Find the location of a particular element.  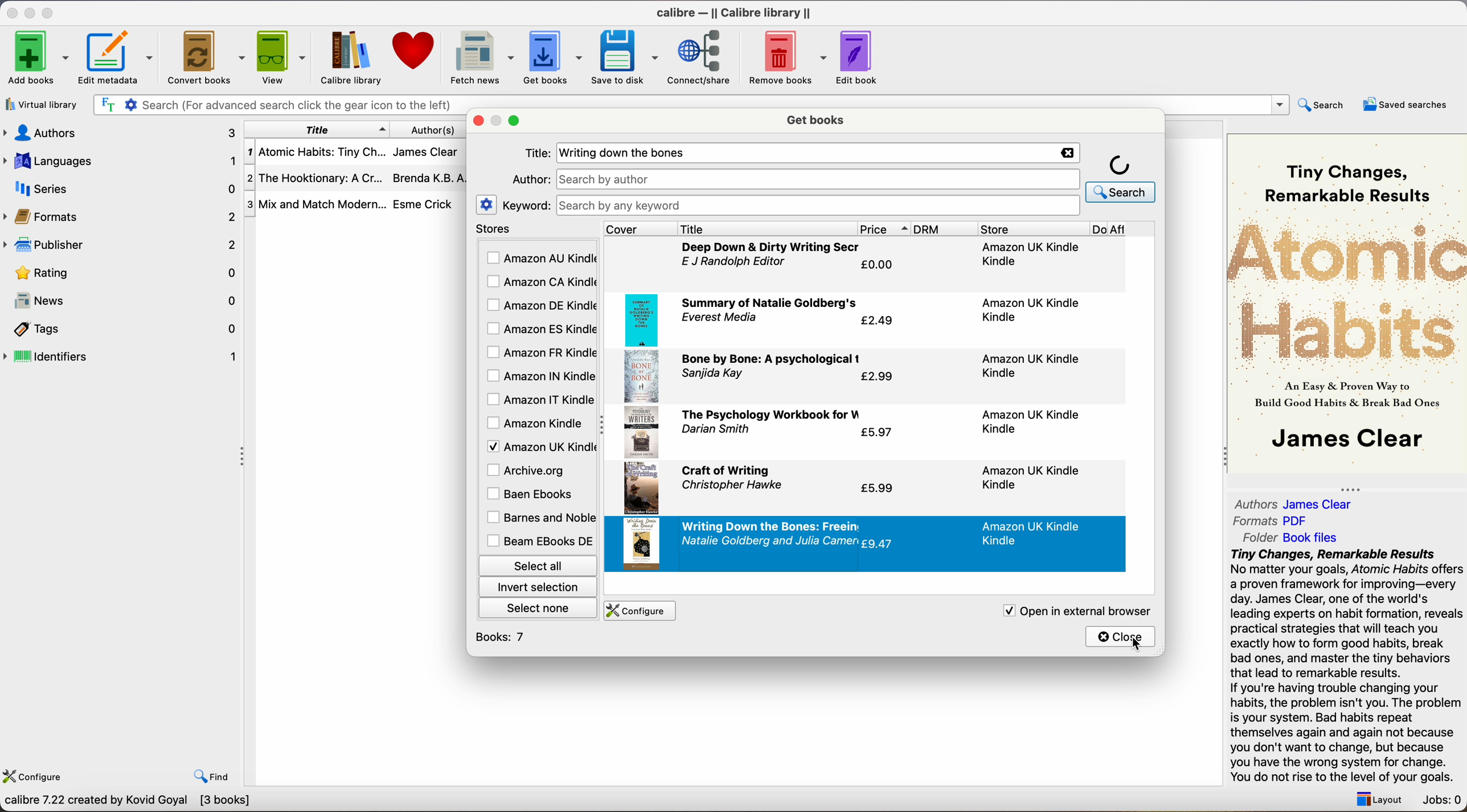

price is located at coordinates (884, 229).